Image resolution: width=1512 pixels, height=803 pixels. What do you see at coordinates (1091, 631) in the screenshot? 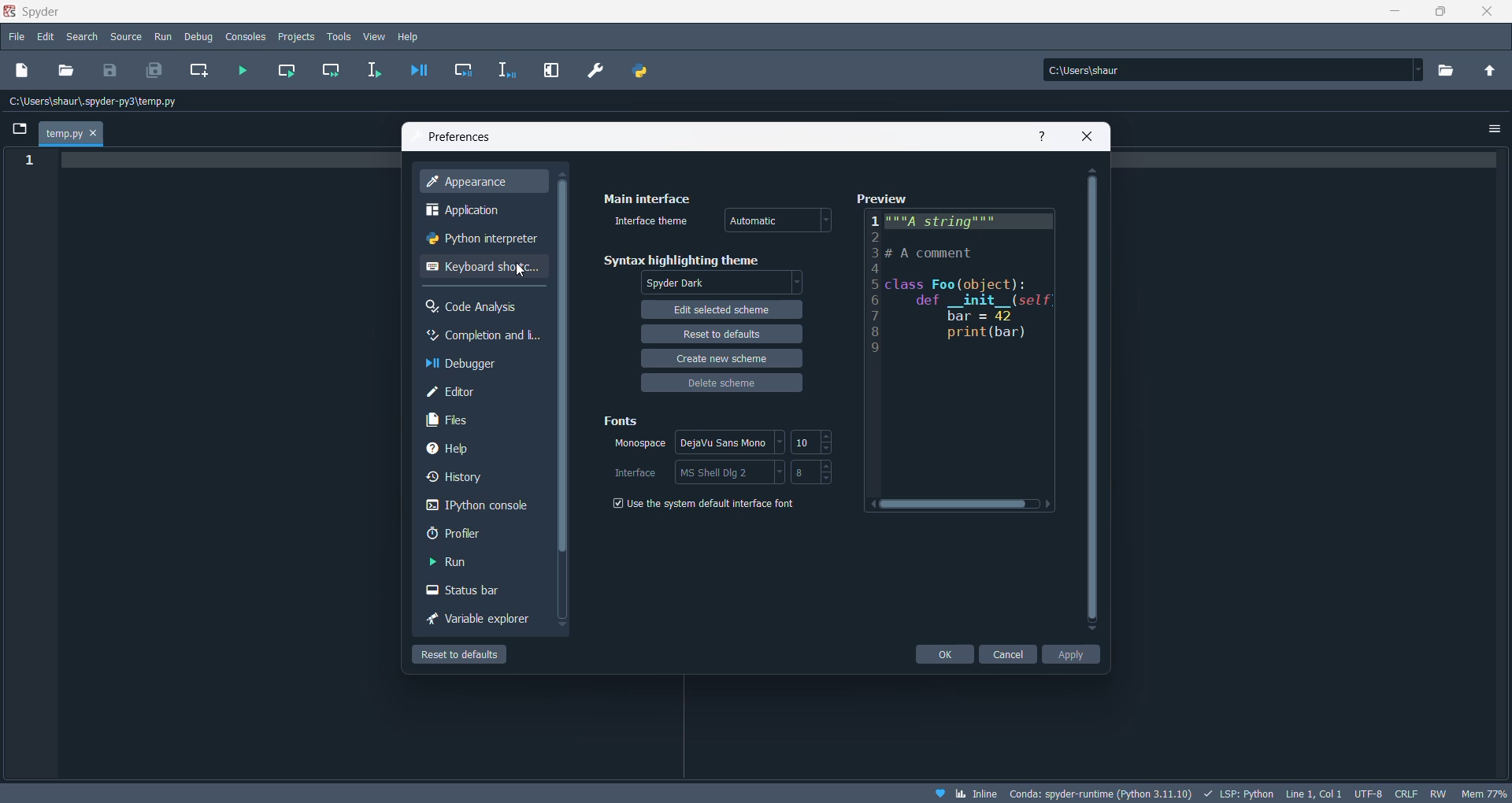
I see `move down` at bounding box center [1091, 631].